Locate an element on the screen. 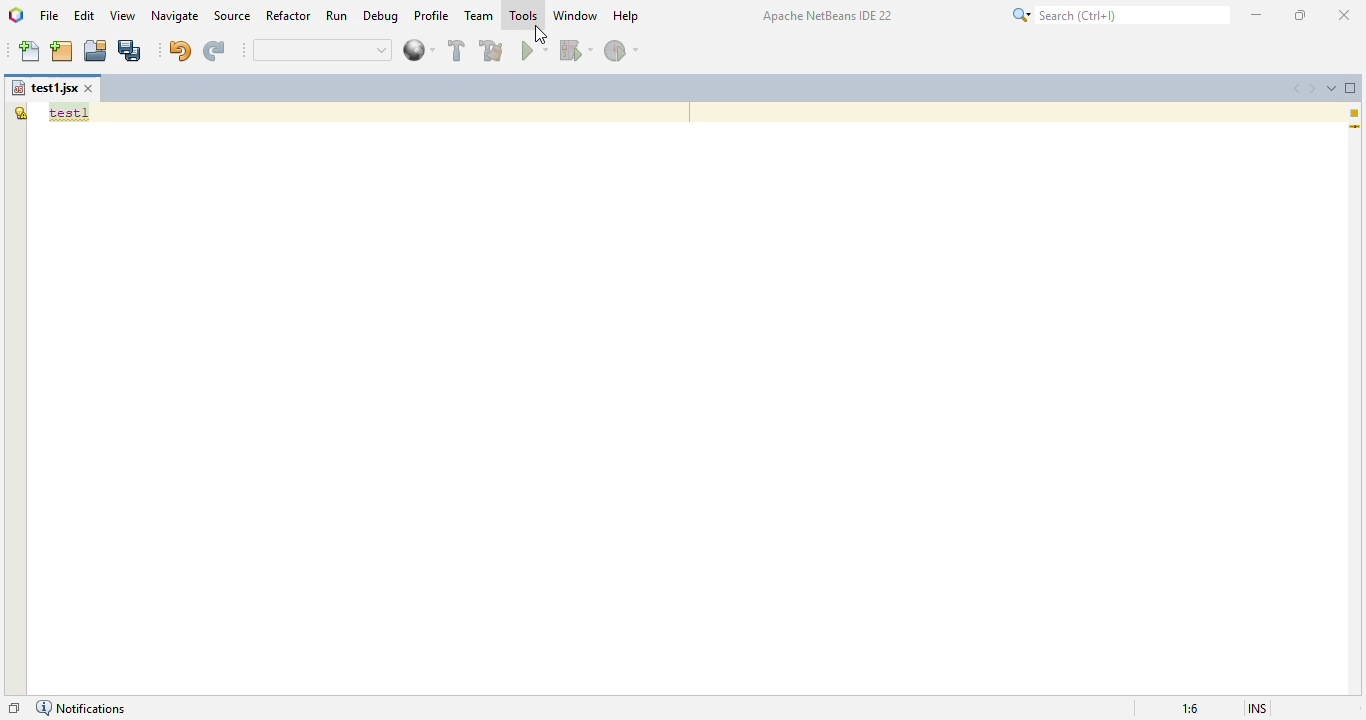  view is located at coordinates (123, 16).